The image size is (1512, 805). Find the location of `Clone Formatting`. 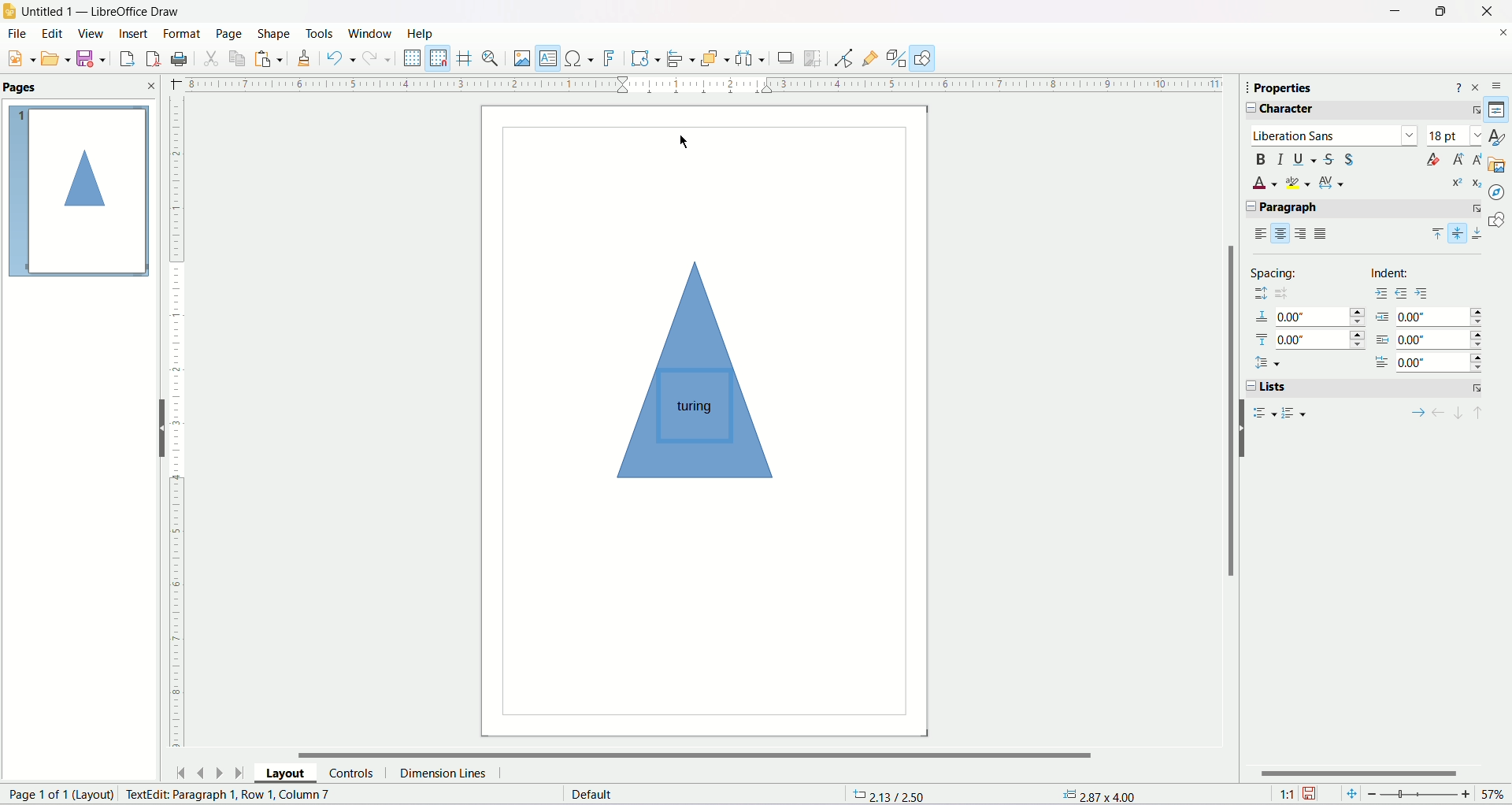

Clone Formatting is located at coordinates (306, 57).